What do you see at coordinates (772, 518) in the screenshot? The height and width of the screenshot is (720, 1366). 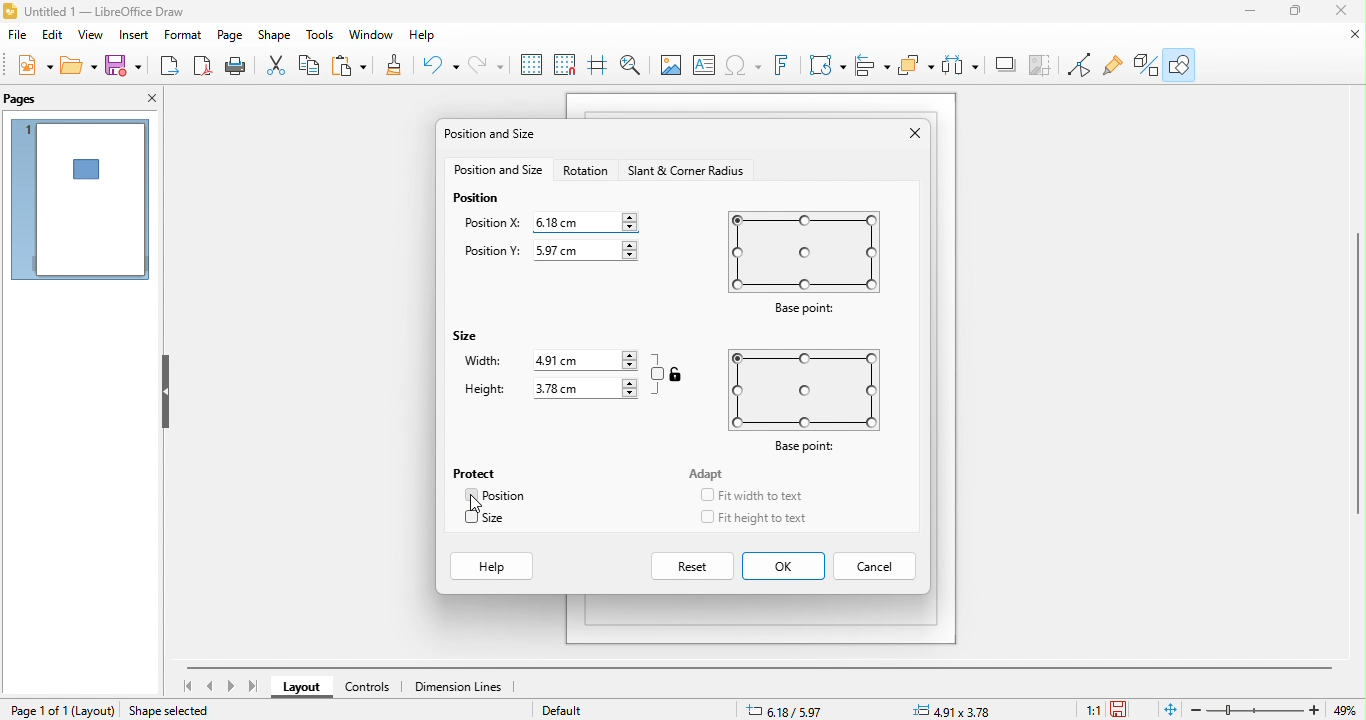 I see `fit height to text` at bounding box center [772, 518].